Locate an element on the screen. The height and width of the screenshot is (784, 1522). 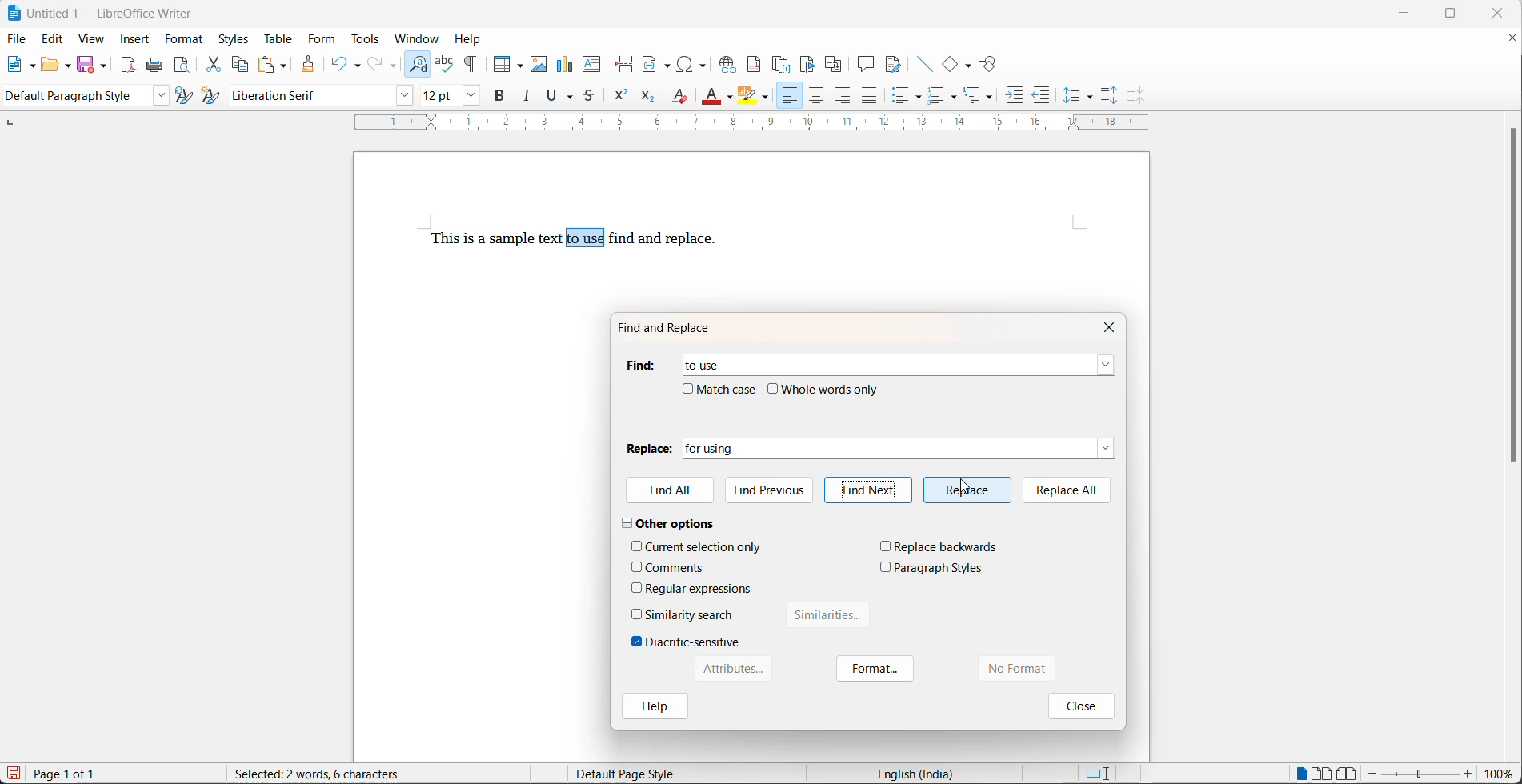
decrease paragraph spacing is located at coordinates (1133, 96).